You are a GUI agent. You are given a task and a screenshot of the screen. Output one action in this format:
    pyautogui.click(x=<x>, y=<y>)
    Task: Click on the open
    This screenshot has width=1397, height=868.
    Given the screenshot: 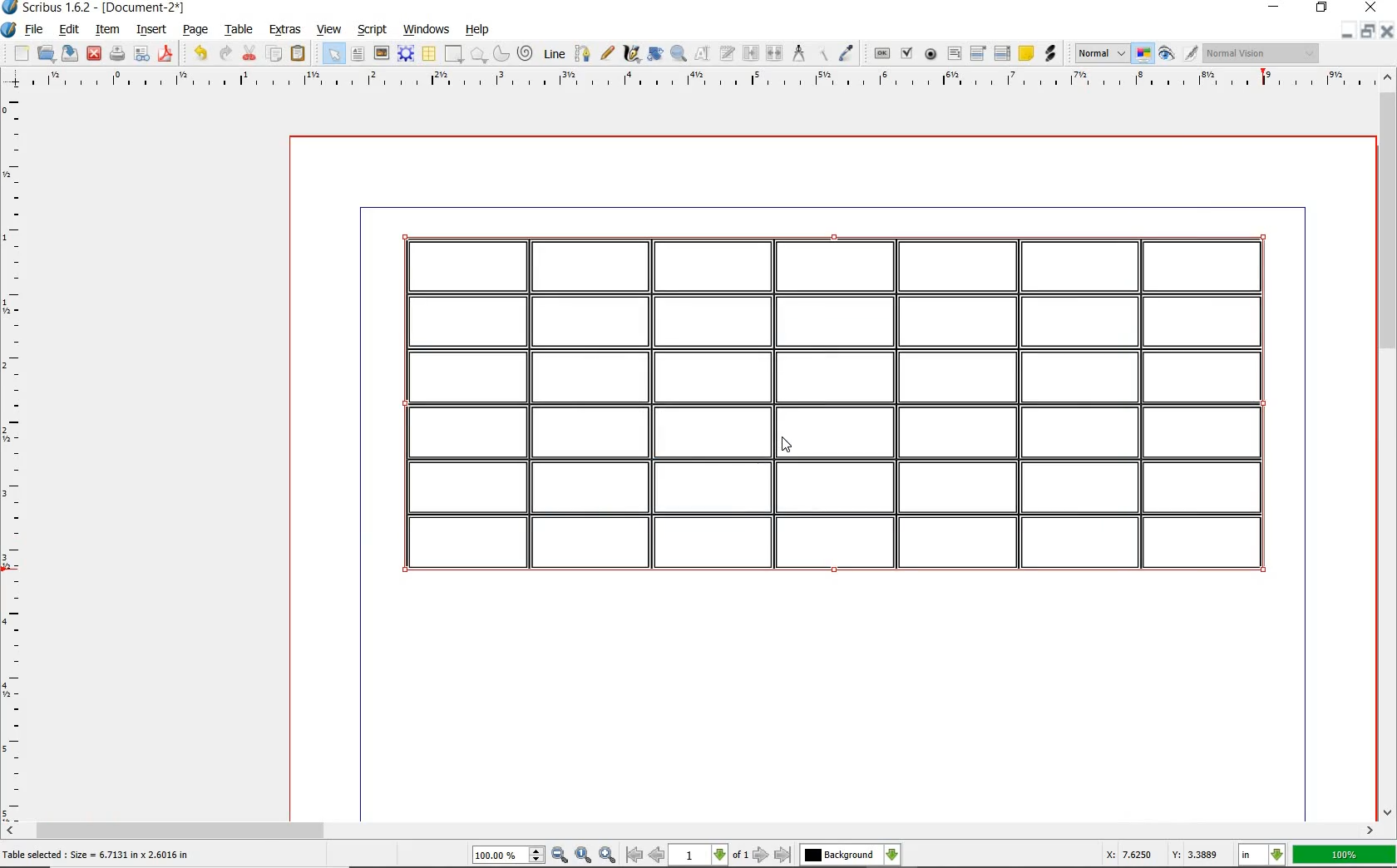 What is the action you would take?
    pyautogui.click(x=46, y=54)
    